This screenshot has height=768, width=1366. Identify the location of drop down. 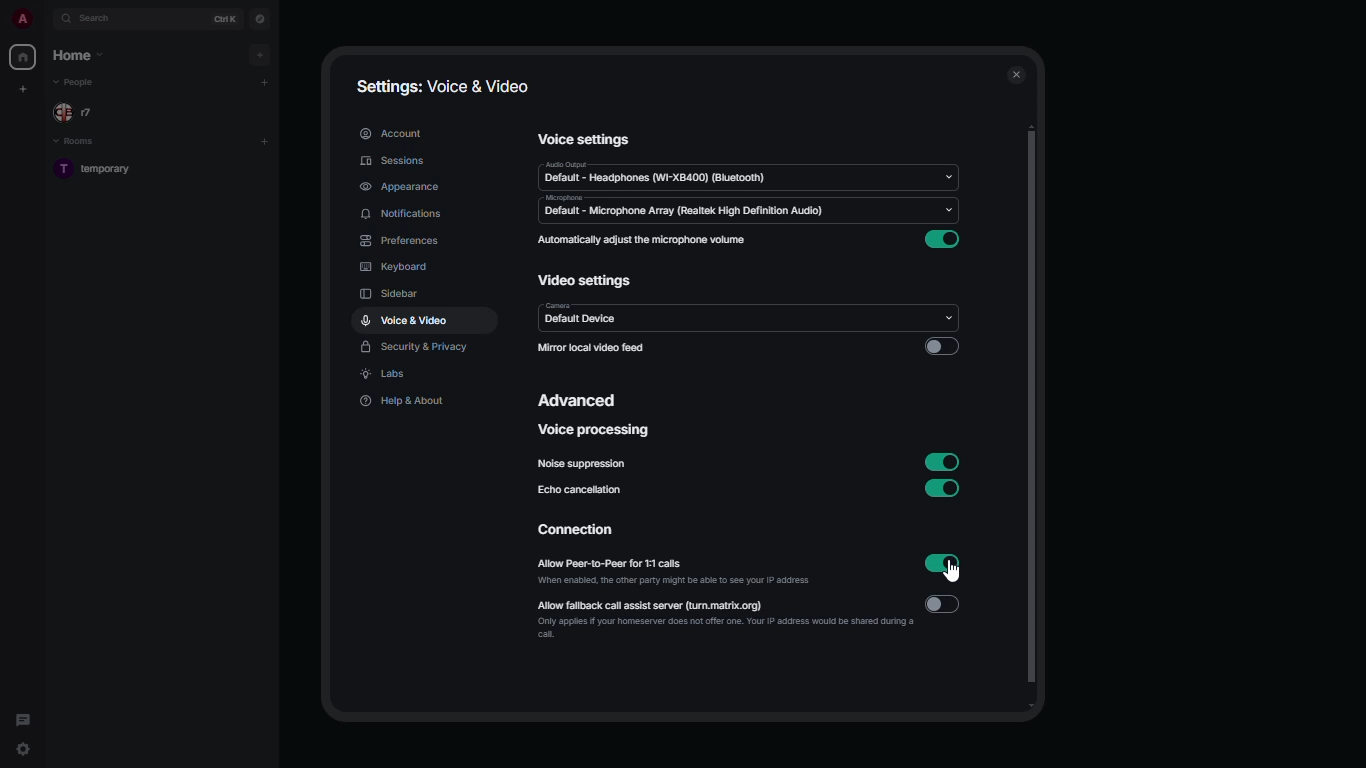
(953, 213).